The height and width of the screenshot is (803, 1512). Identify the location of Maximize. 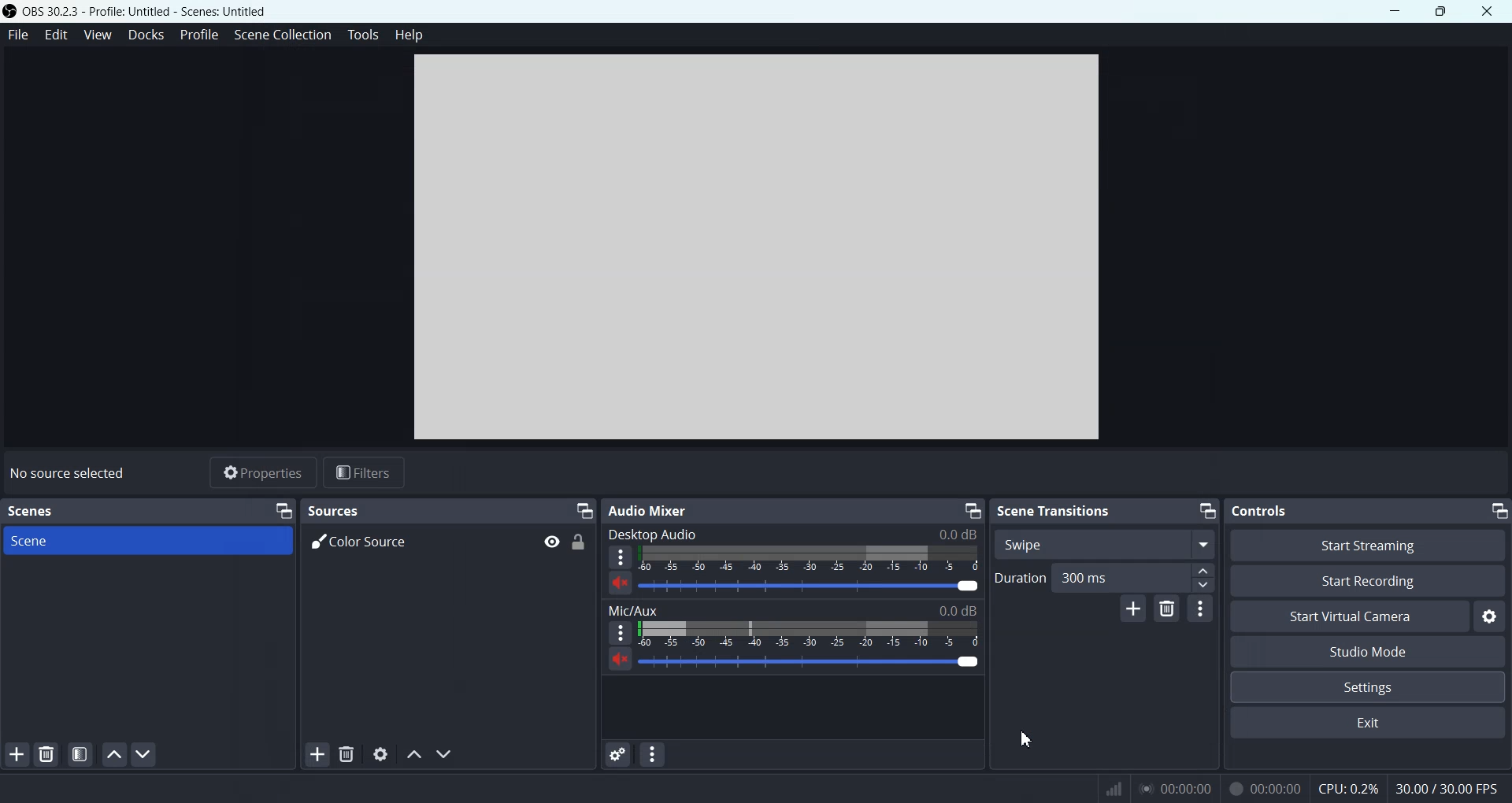
(1441, 10).